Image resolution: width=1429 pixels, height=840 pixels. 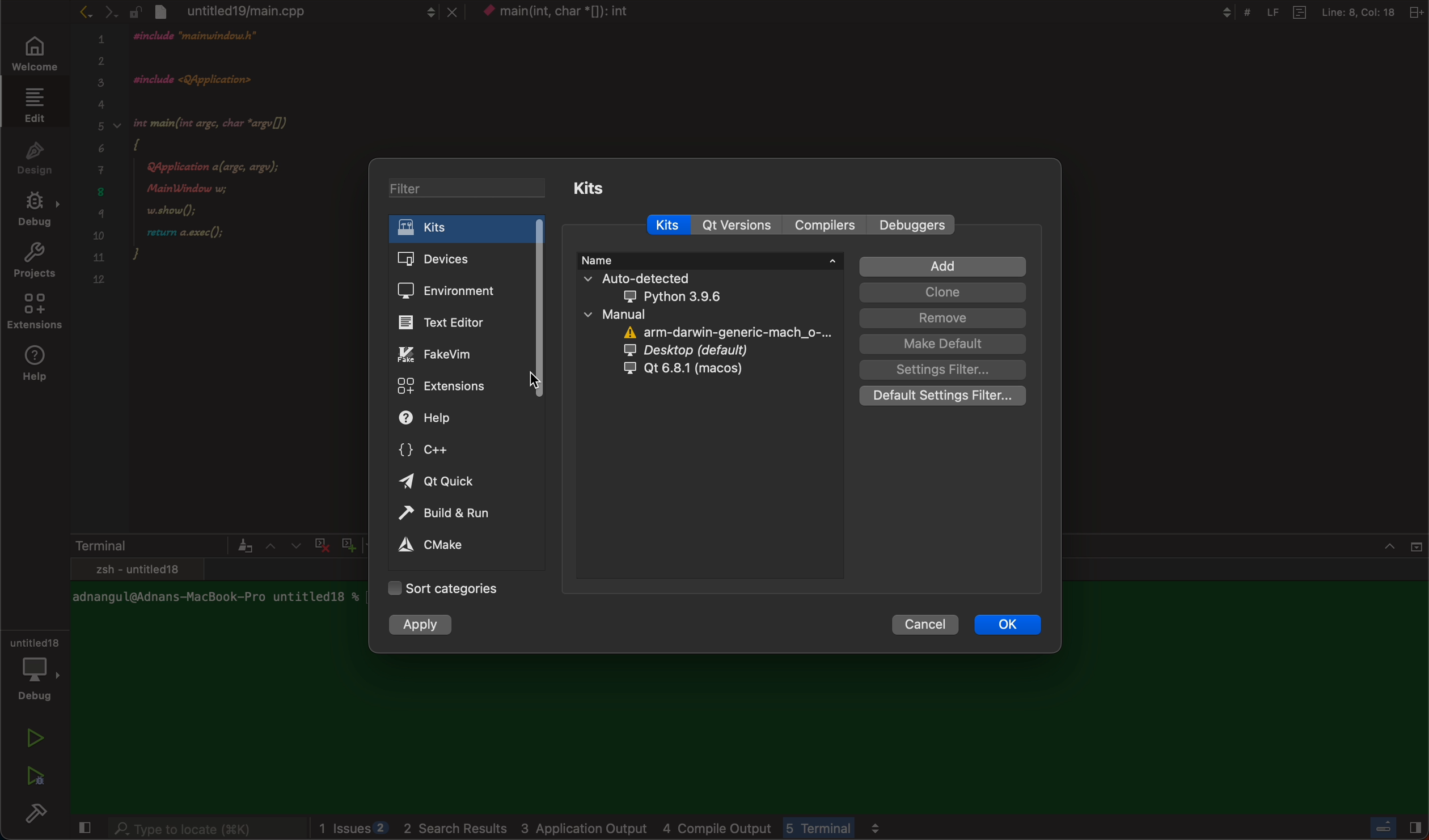 I want to click on close, so click(x=82, y=829).